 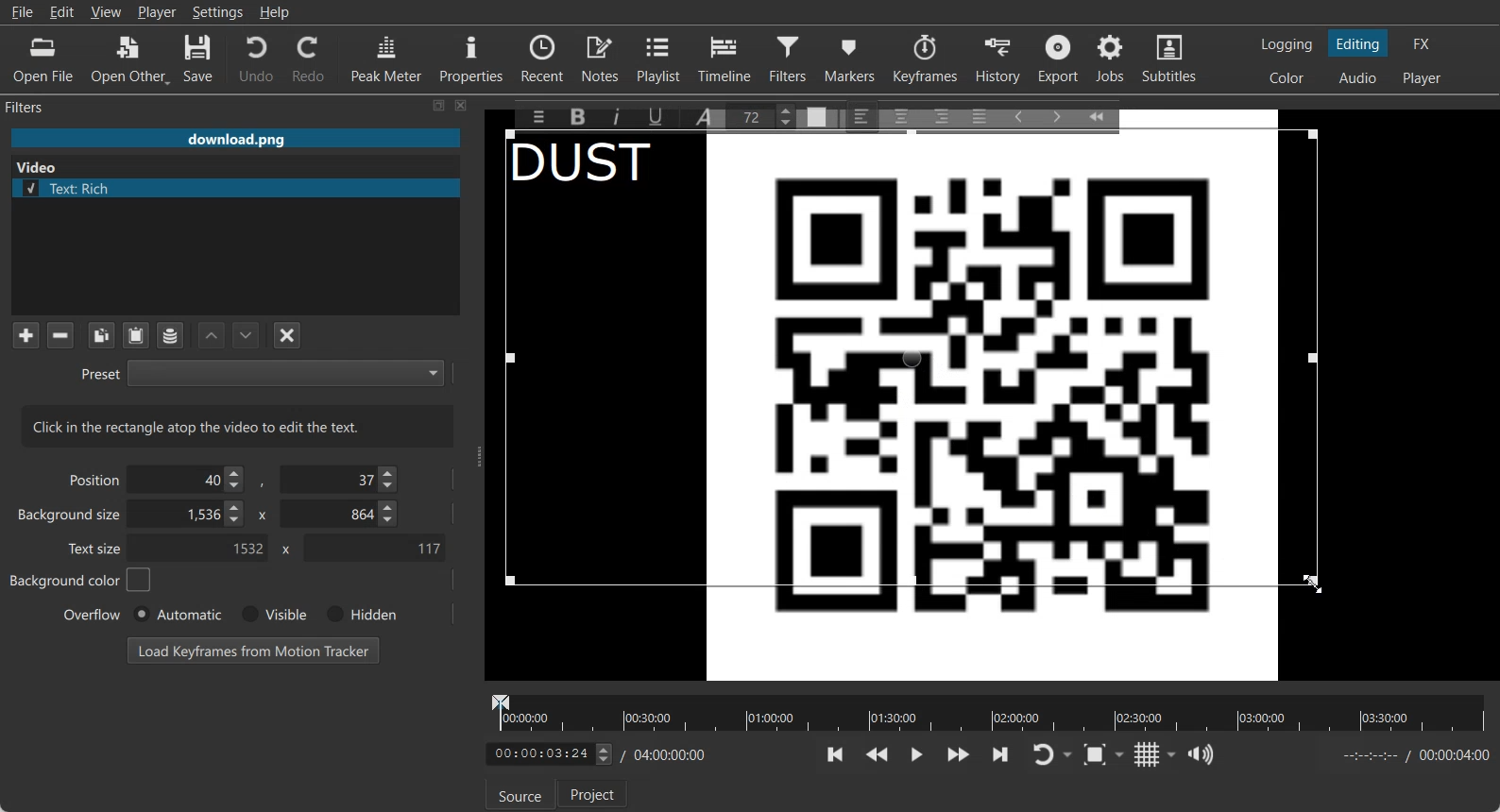 I want to click on History, so click(x=1000, y=59).